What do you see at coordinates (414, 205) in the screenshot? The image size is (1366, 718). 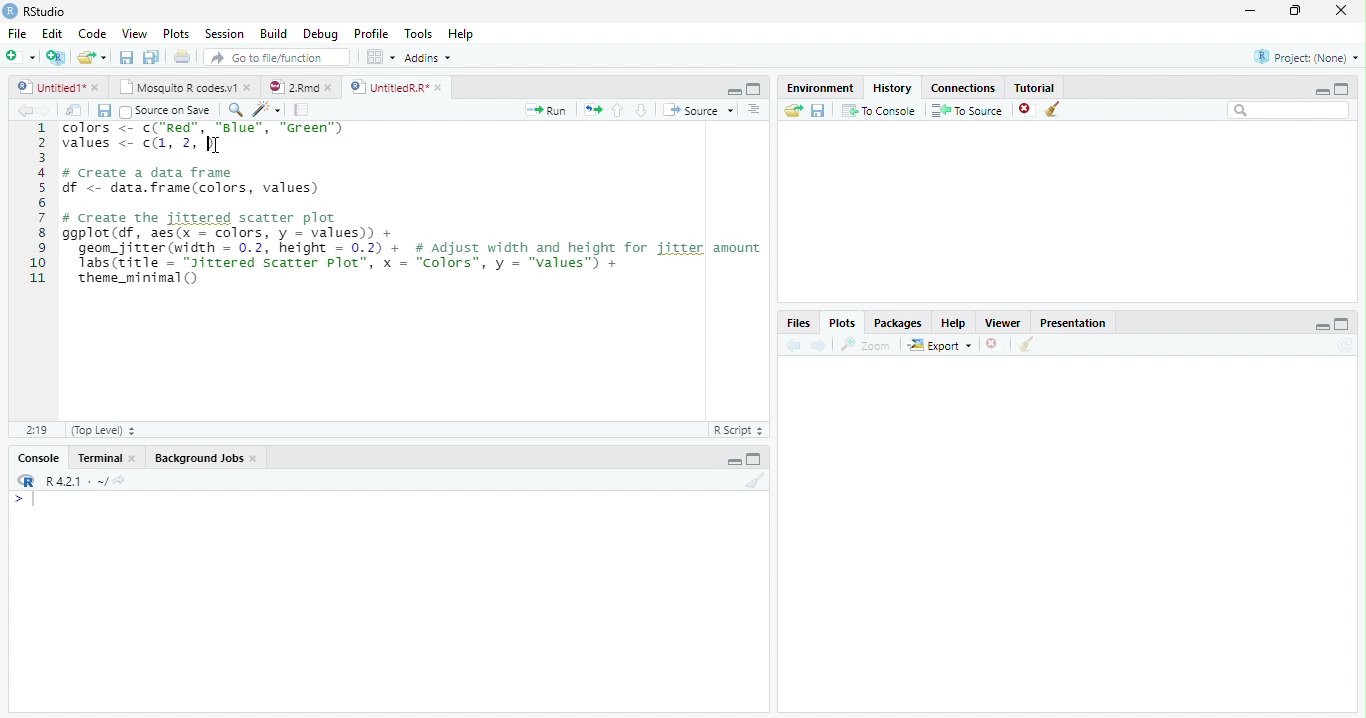 I see `COCara f= CCR WW, CERES

values <- c(1, 2, |]

# create a data frame

df < data. frame(colors, values)

# Create the jittered scatter plot

ggplot(df, aes(x = colors, y = values) +
geon_jitter(width = 0.2, height = 0.2) + # Adjust width and height for jitter amount
Tabs(zitle = “Jitrered Scatter plot’, x = “Colors”, y = "values™) +
theme_minimal` at bounding box center [414, 205].